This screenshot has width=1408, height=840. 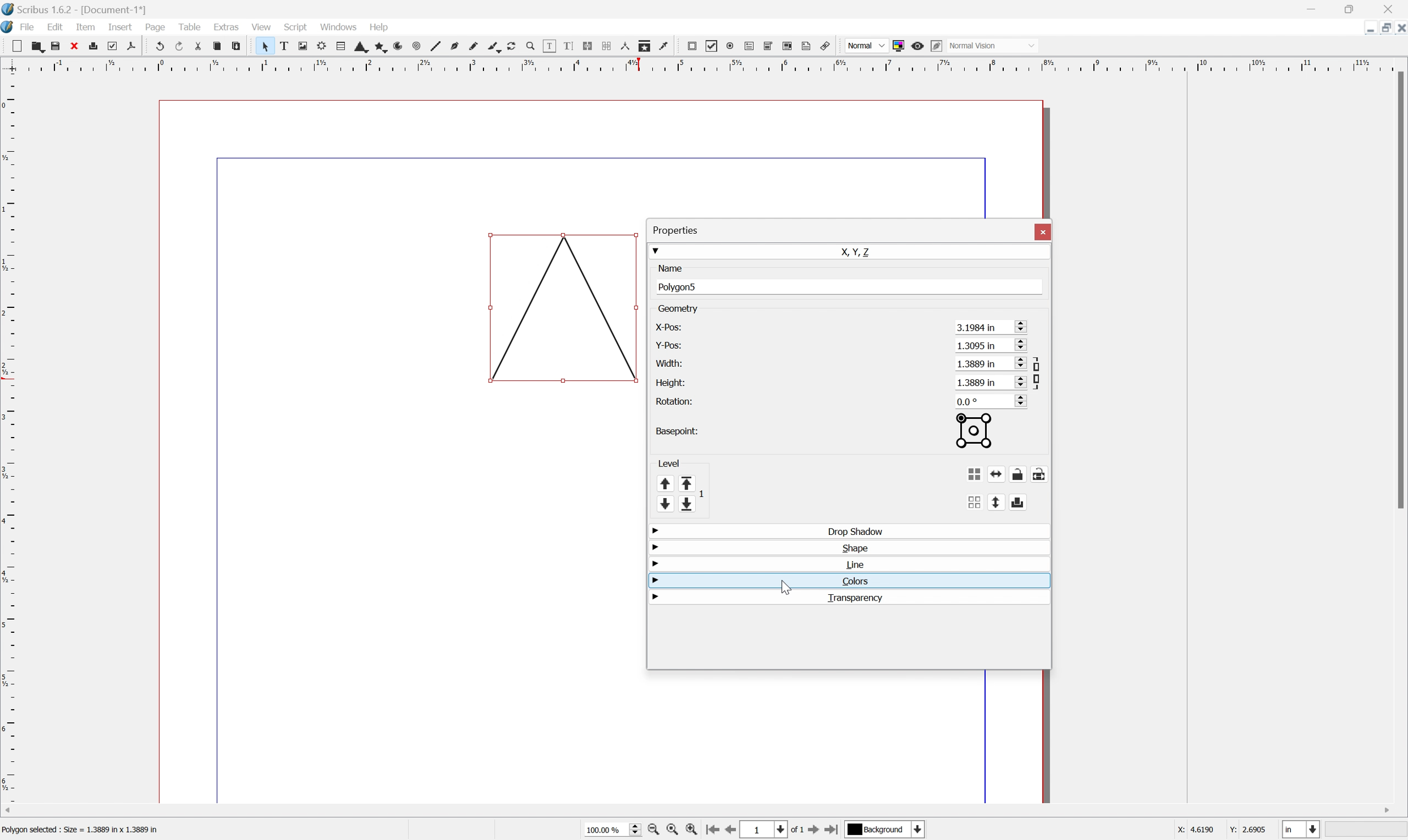 I want to click on Edit in preview mode, so click(x=936, y=46).